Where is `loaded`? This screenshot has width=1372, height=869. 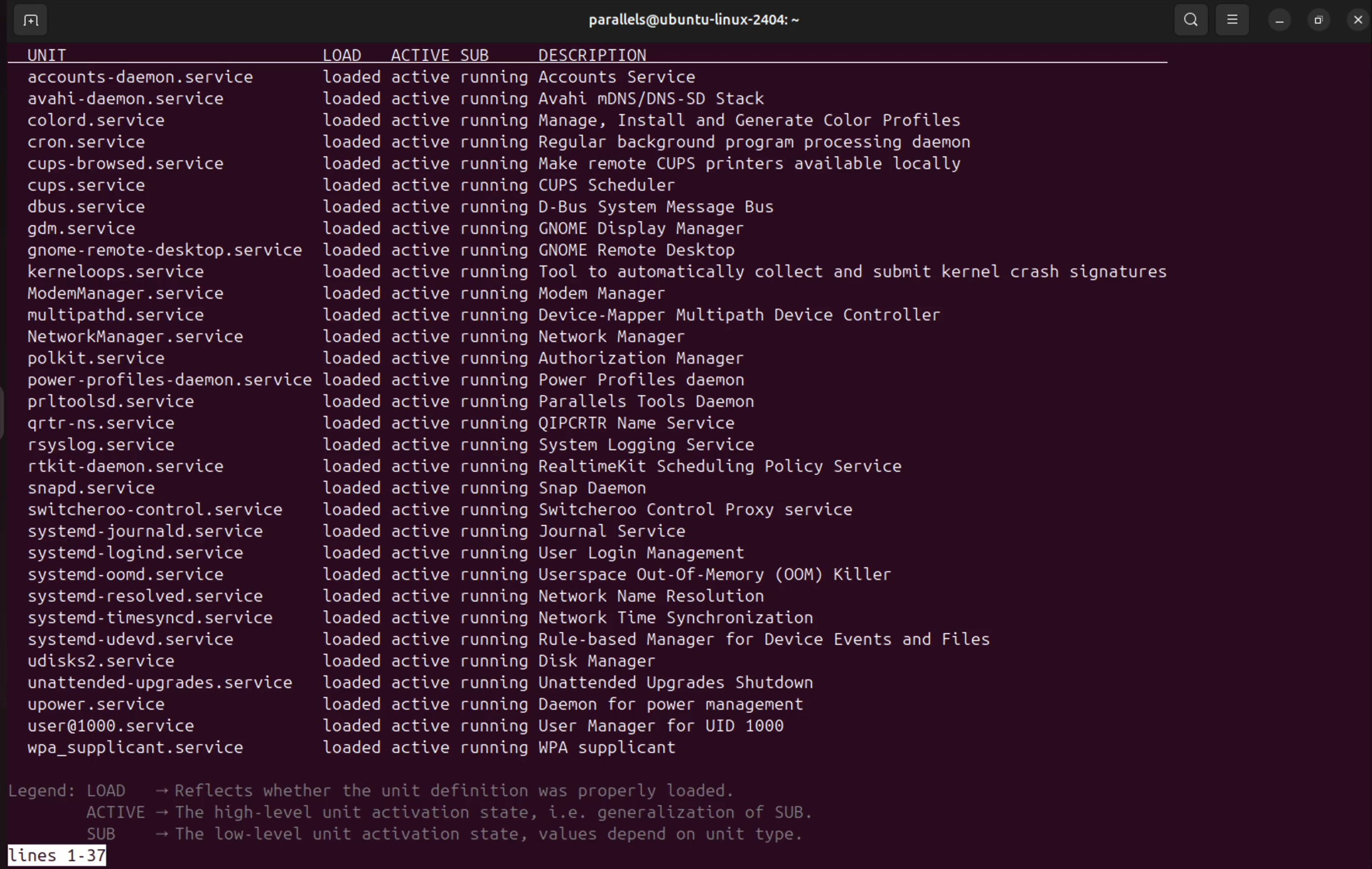 loaded is located at coordinates (353, 554).